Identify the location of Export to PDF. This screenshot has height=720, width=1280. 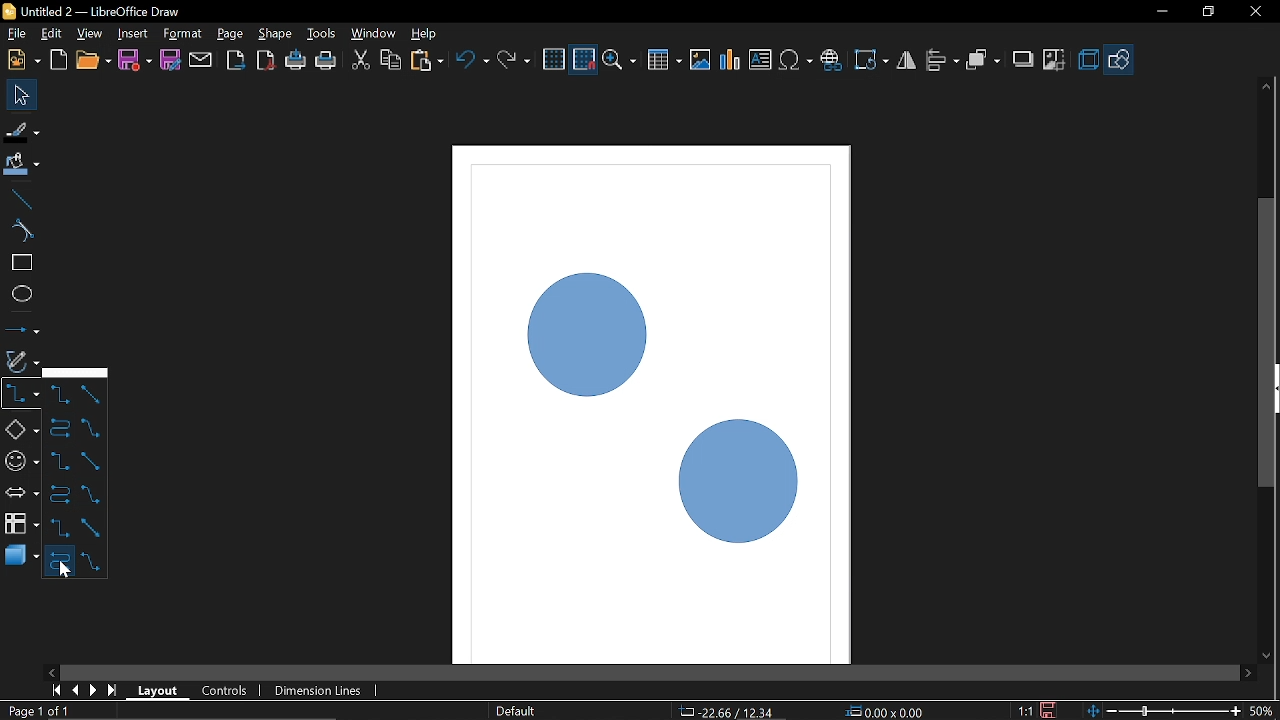
(267, 59).